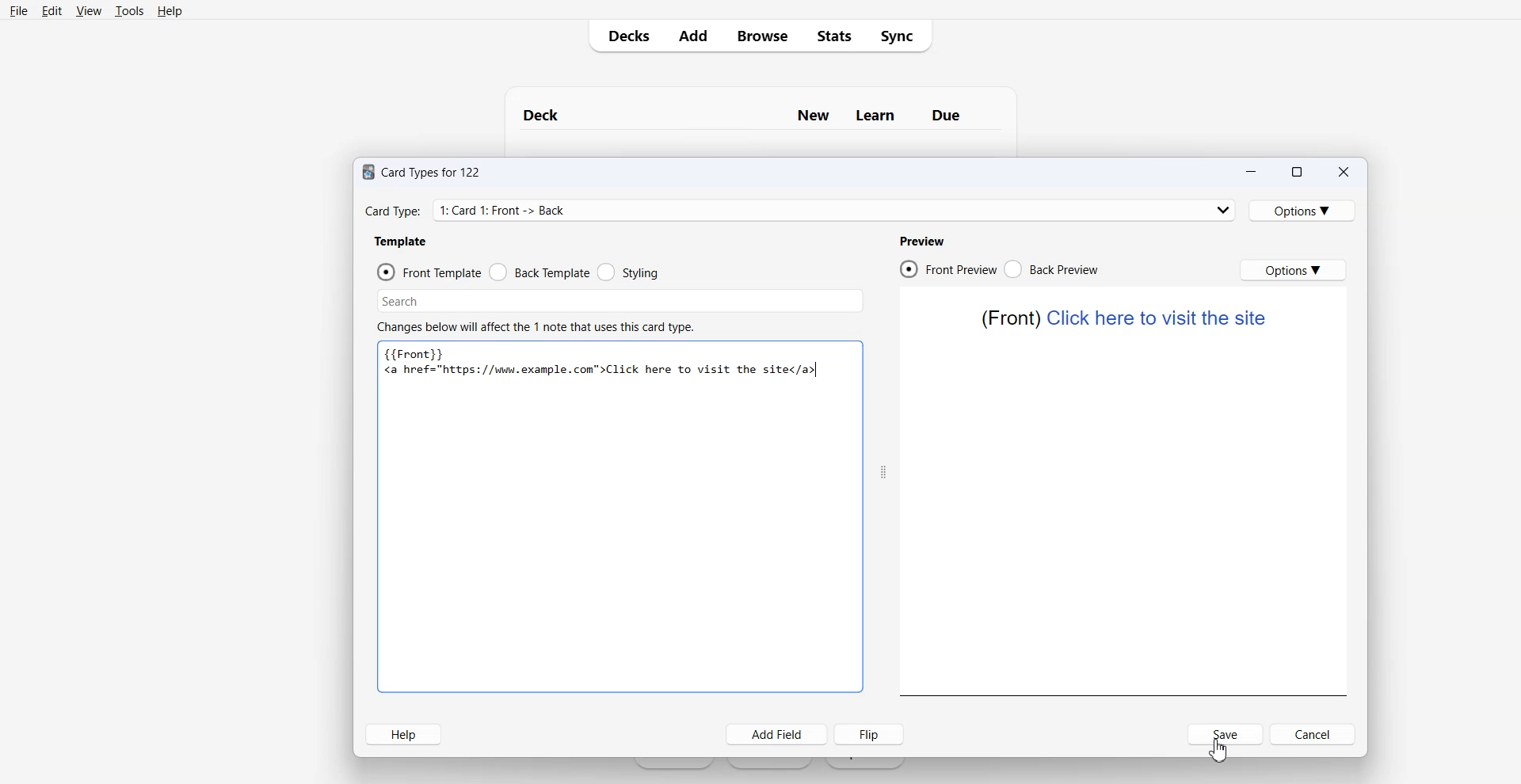  I want to click on Text 2, so click(536, 327).